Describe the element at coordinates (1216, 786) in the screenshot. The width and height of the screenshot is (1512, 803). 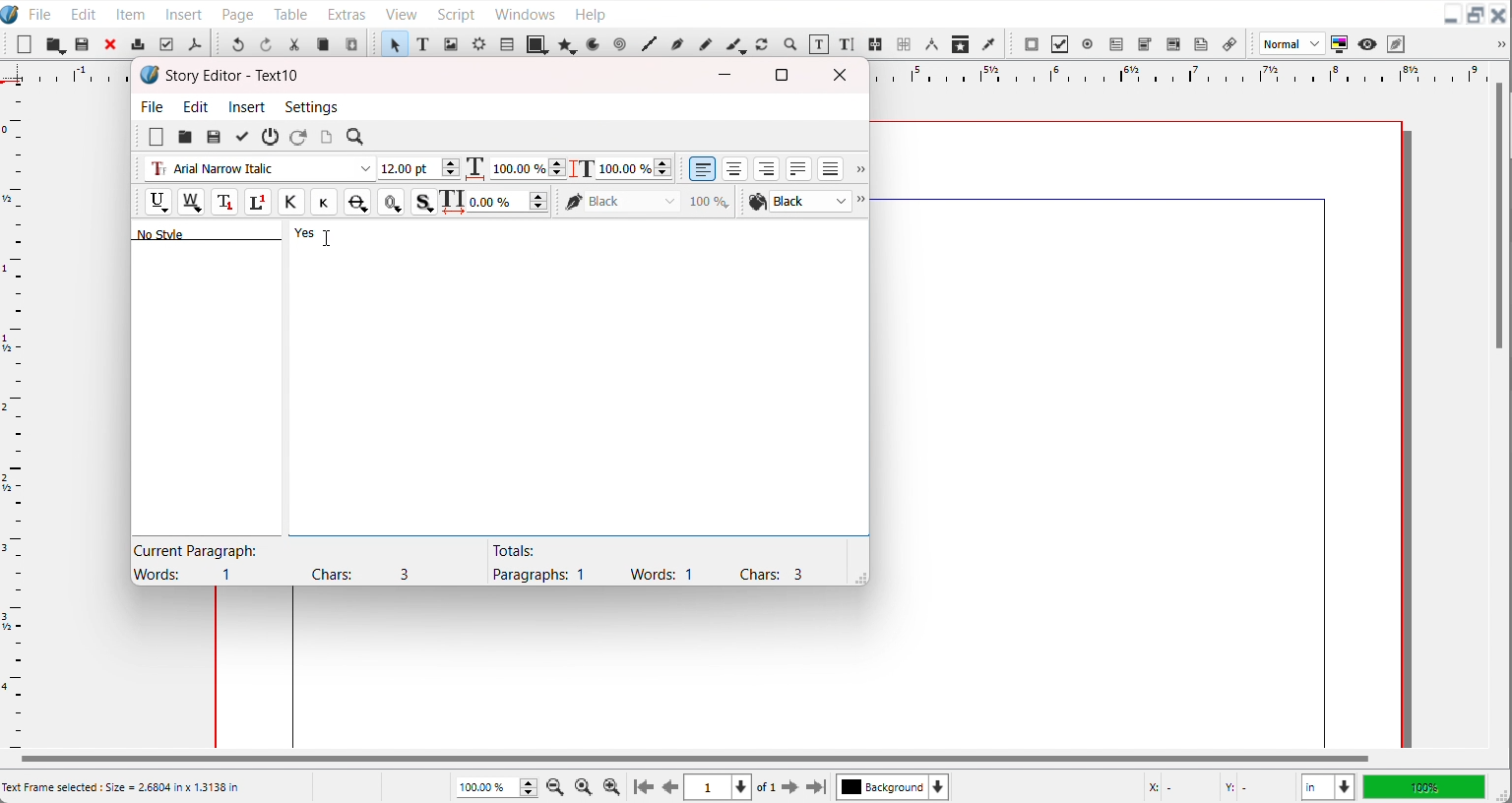
I see `X,Y Co-ordinate` at that location.